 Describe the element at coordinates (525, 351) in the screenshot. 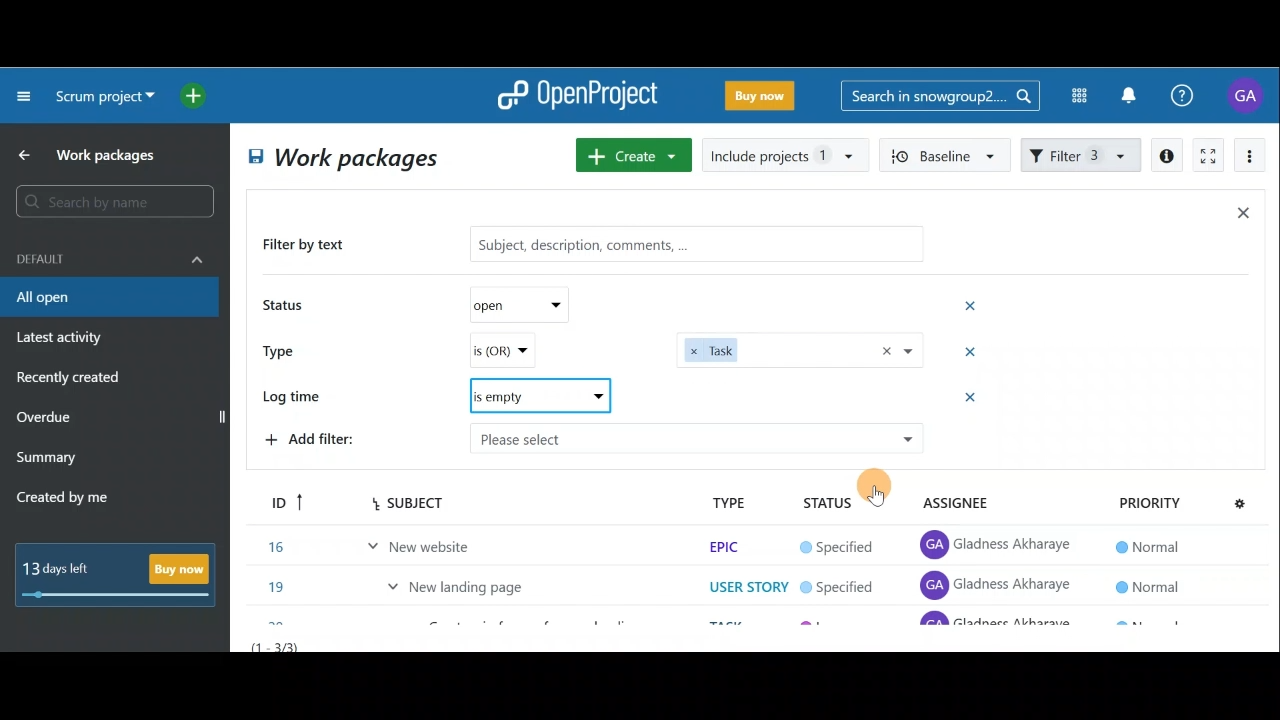

I see `is (OR)` at that location.